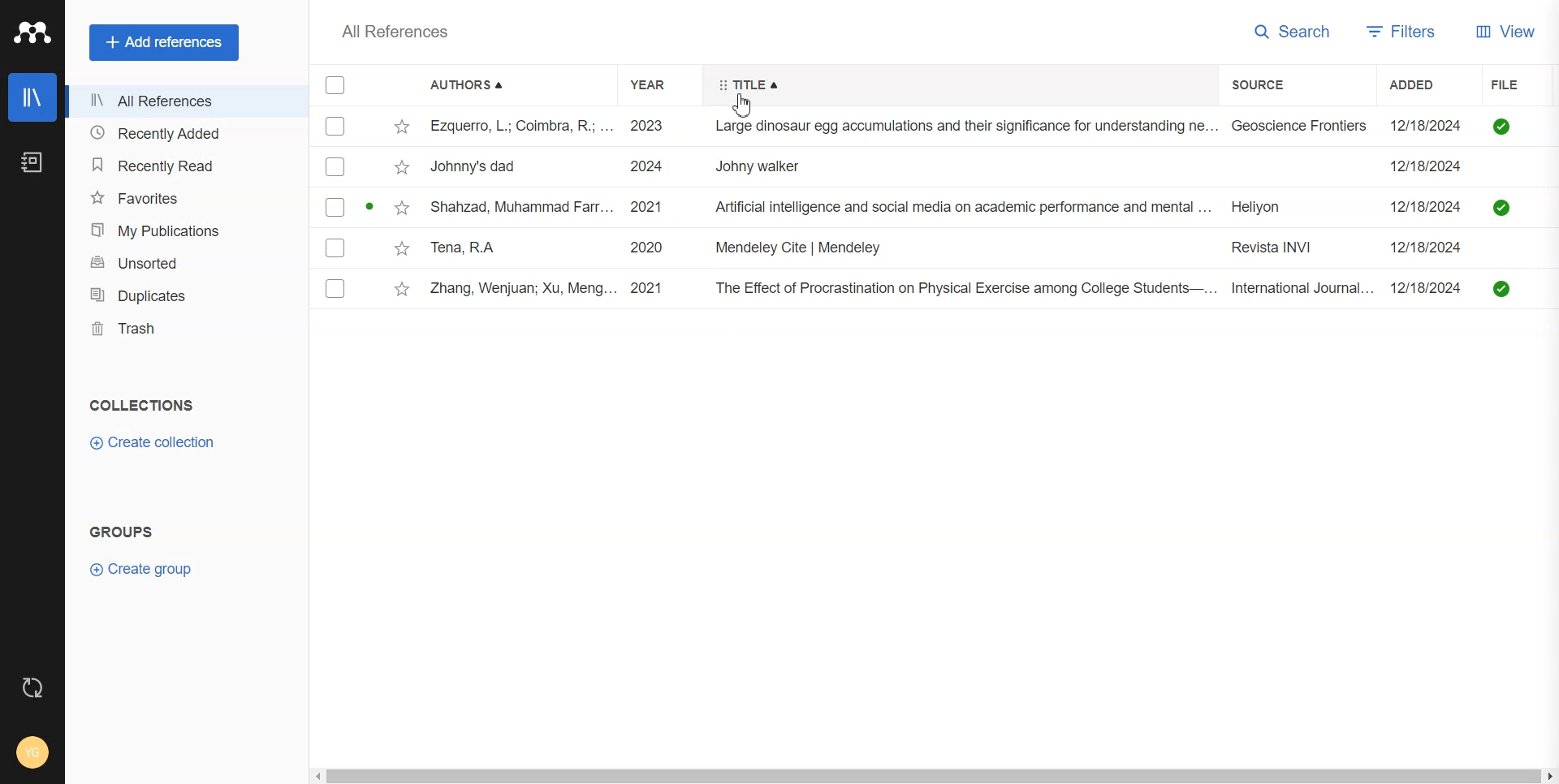  I want to click on My Publication, so click(187, 229).